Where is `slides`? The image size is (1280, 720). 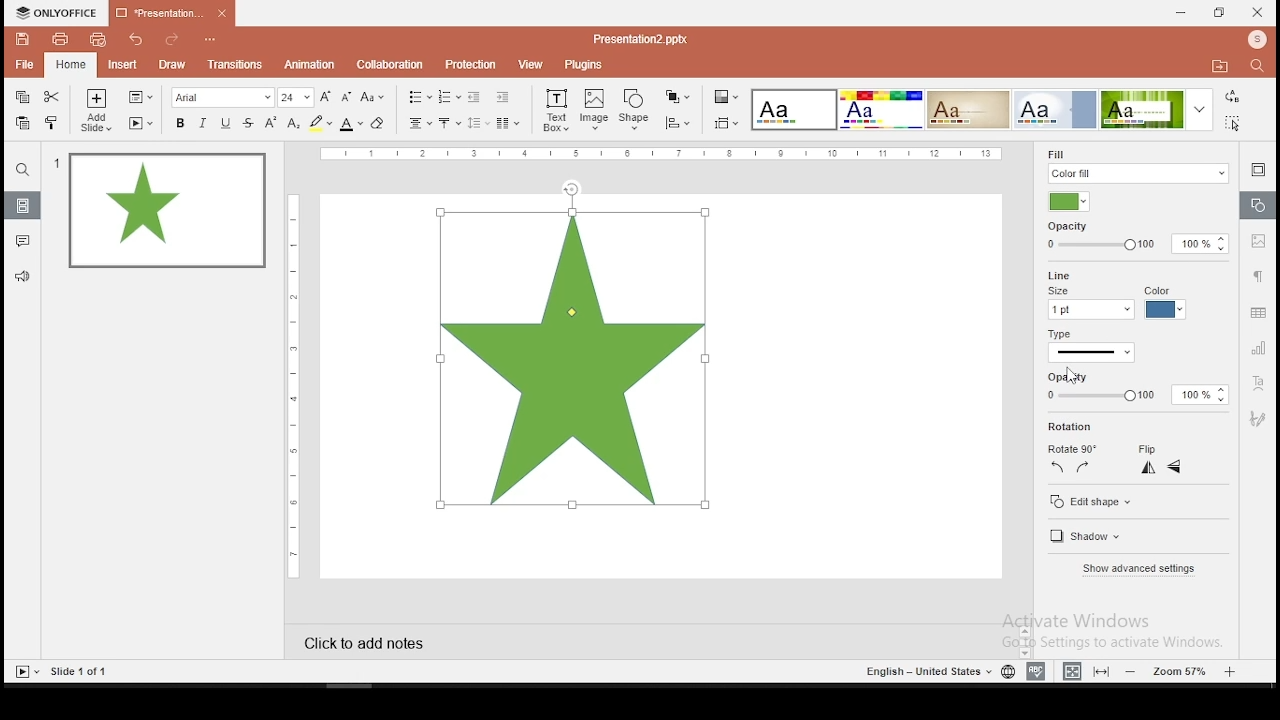
slides is located at coordinates (21, 205).